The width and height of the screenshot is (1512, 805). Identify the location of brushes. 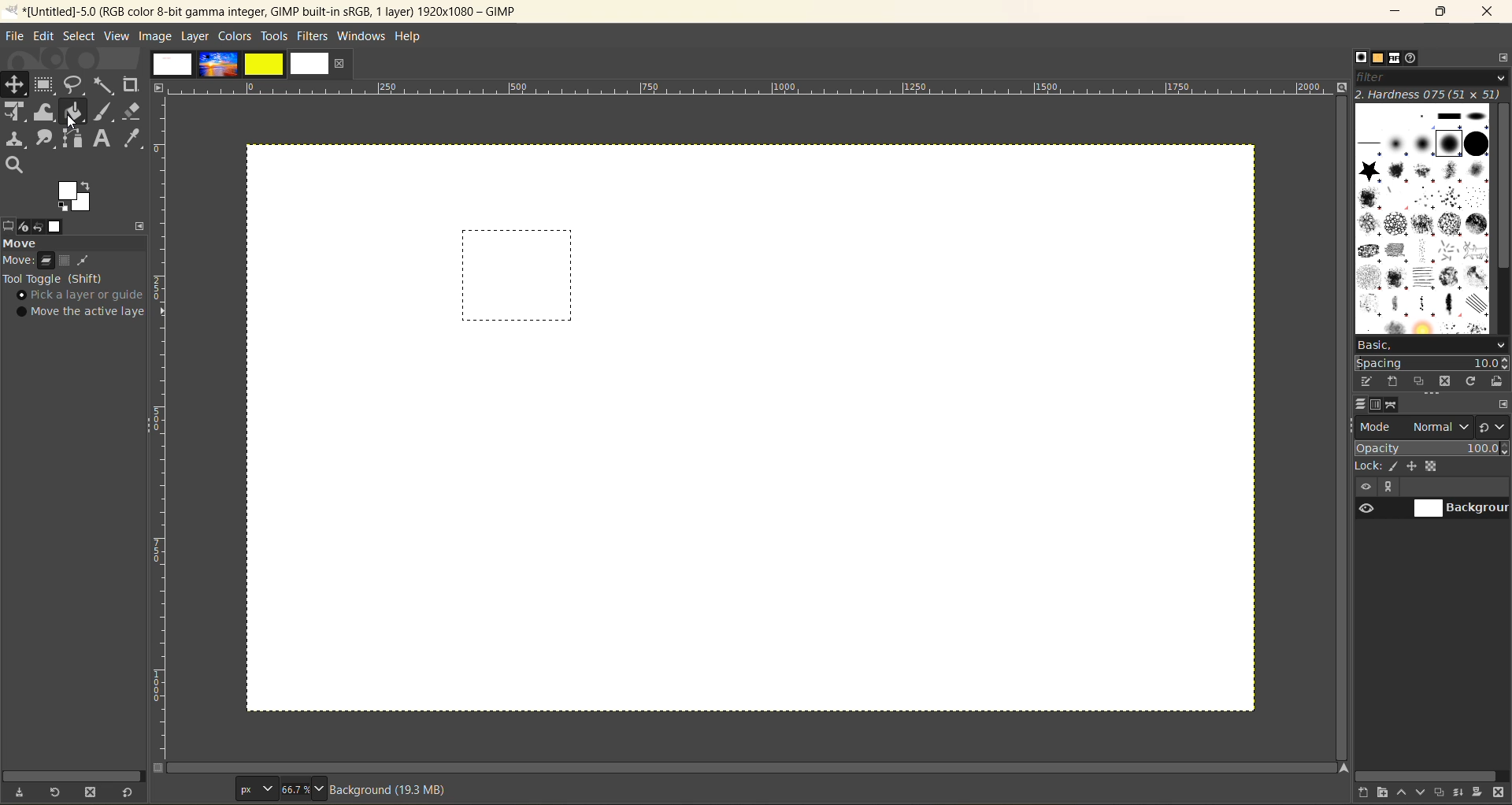
(1357, 57).